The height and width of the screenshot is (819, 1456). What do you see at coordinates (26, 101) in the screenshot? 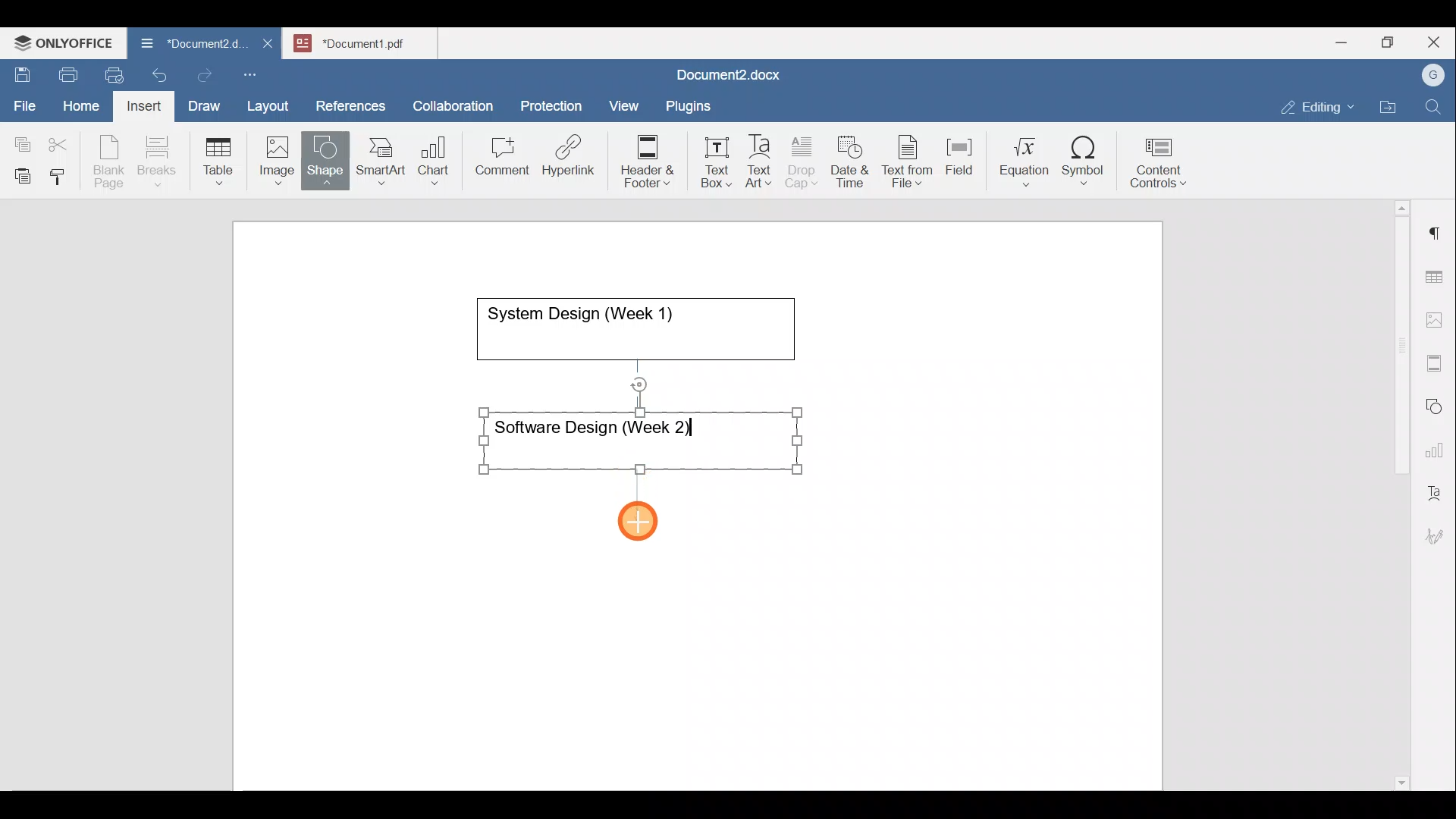
I see `File` at bounding box center [26, 101].